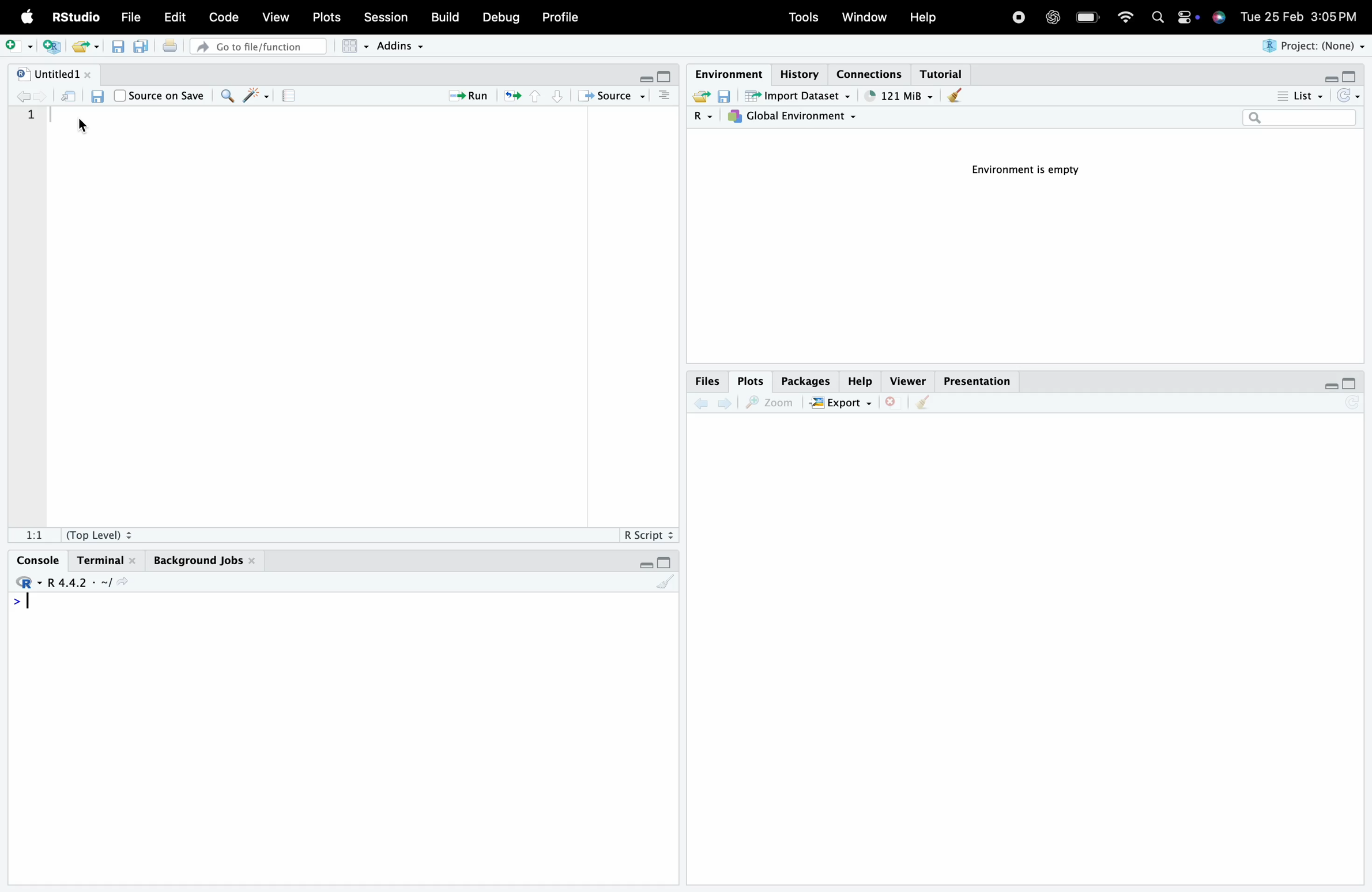  Describe the element at coordinates (42, 96) in the screenshot. I see `Go forward to the next source location (Ctrl + F10)` at that location.